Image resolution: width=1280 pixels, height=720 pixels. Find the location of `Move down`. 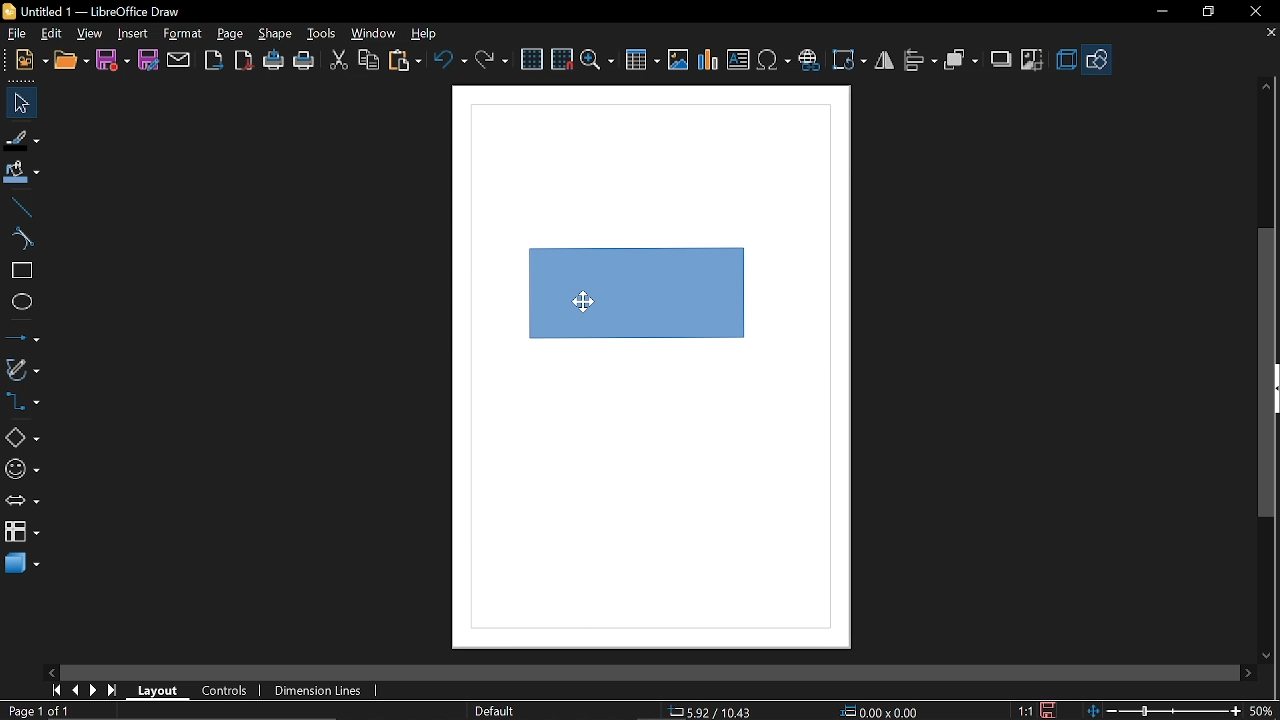

Move down is located at coordinates (1270, 655).